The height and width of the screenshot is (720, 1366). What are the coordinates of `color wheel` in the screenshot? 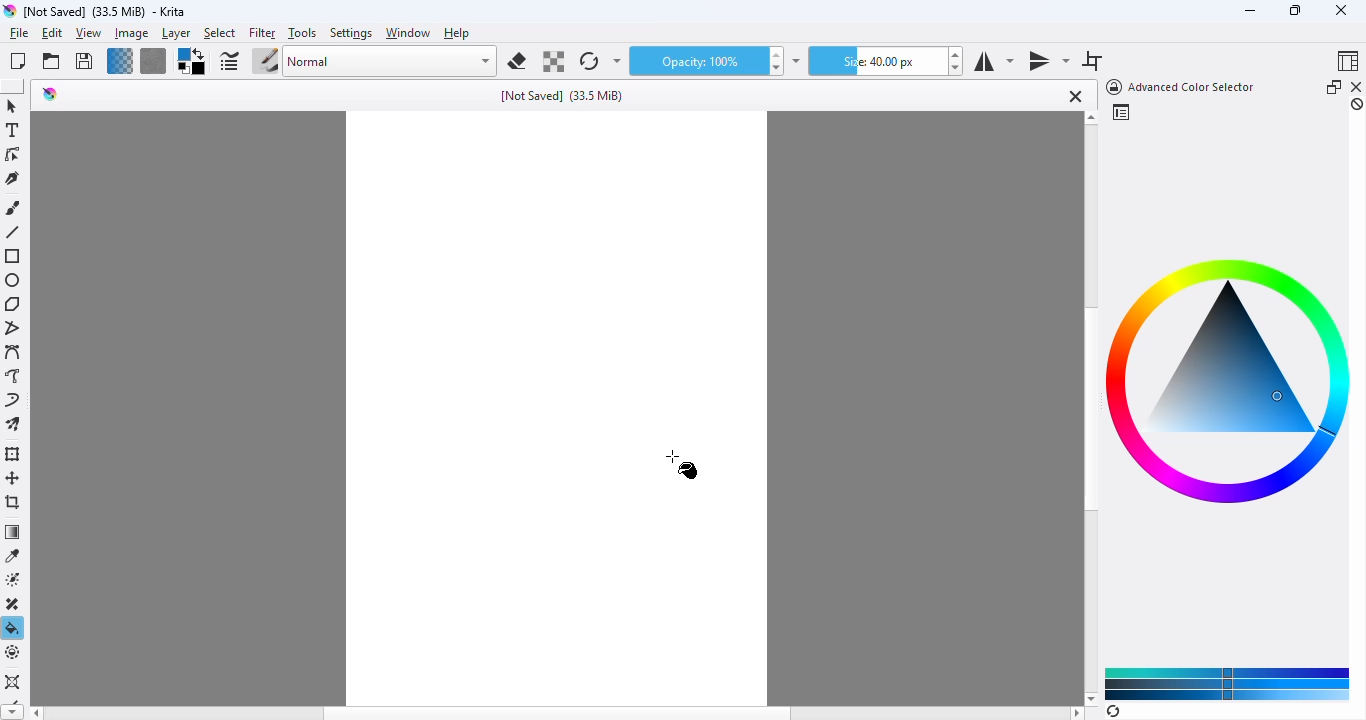 It's located at (1230, 379).